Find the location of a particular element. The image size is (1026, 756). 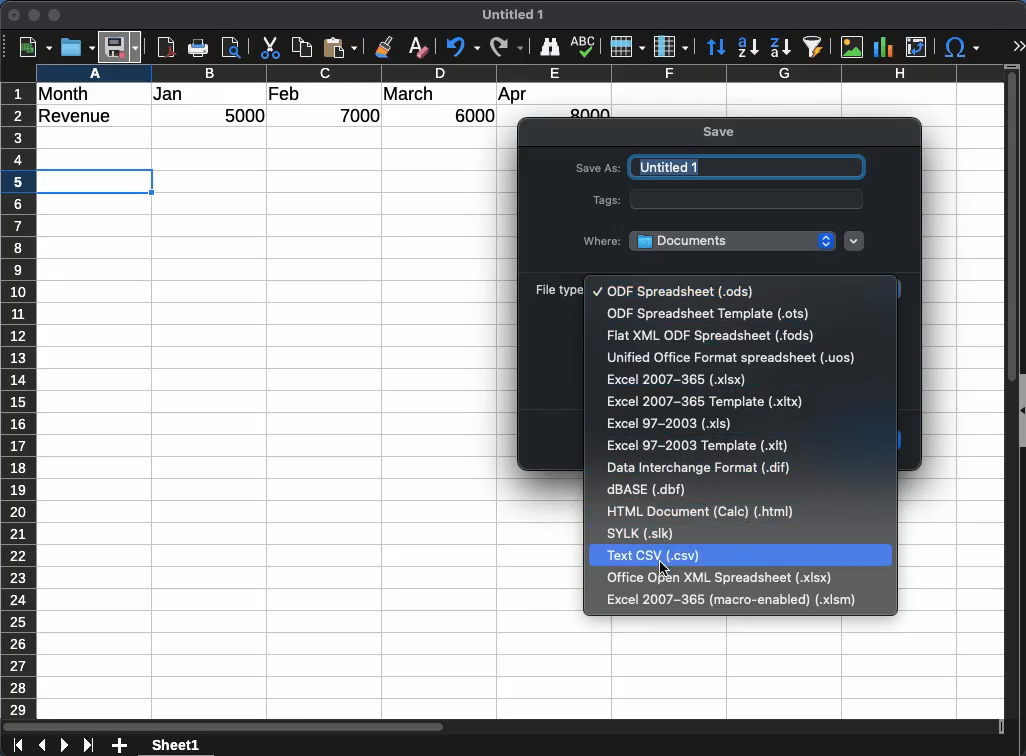

open is located at coordinates (76, 48).